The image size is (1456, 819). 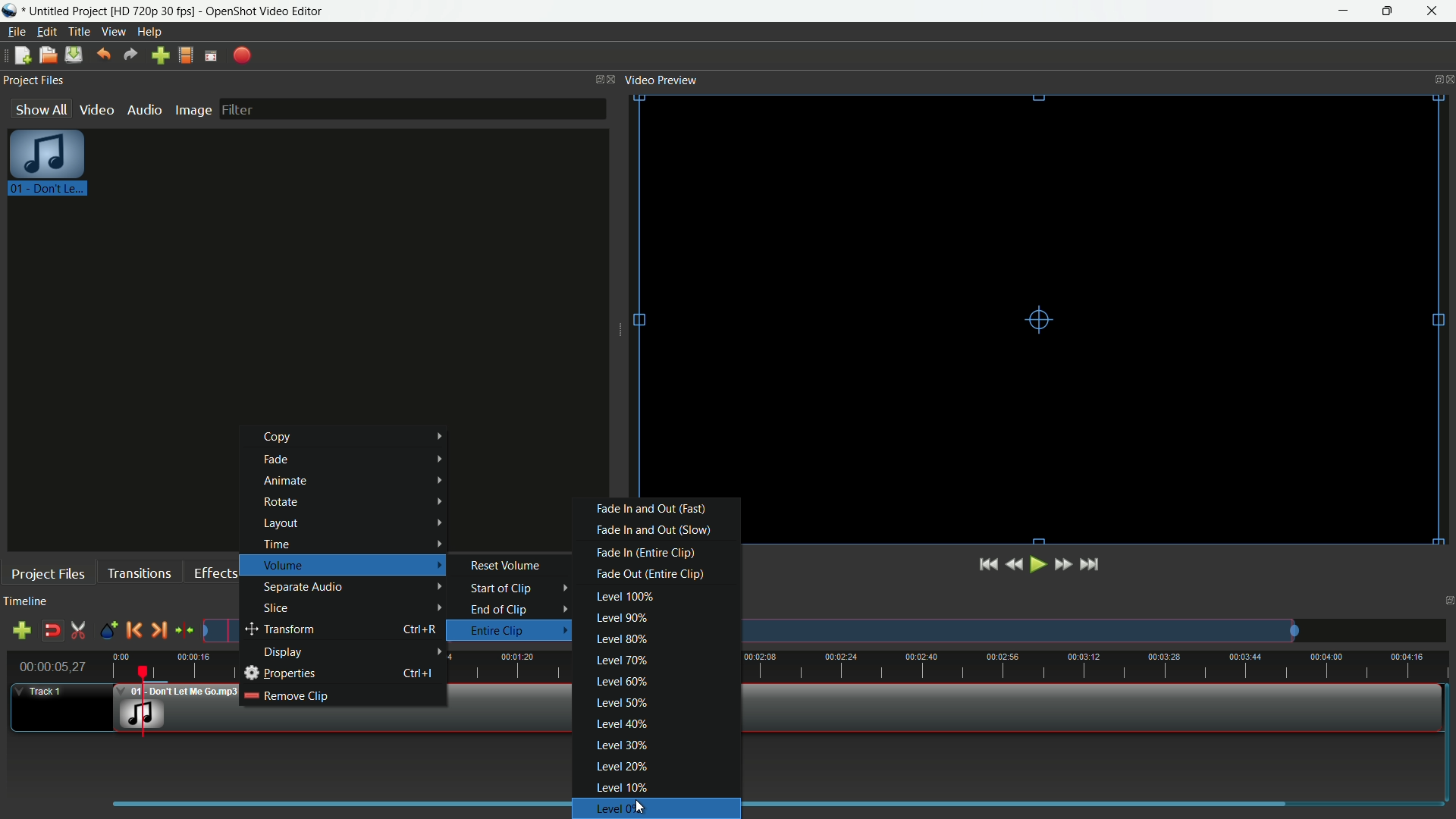 What do you see at coordinates (217, 573) in the screenshot?
I see `effects` at bounding box center [217, 573].